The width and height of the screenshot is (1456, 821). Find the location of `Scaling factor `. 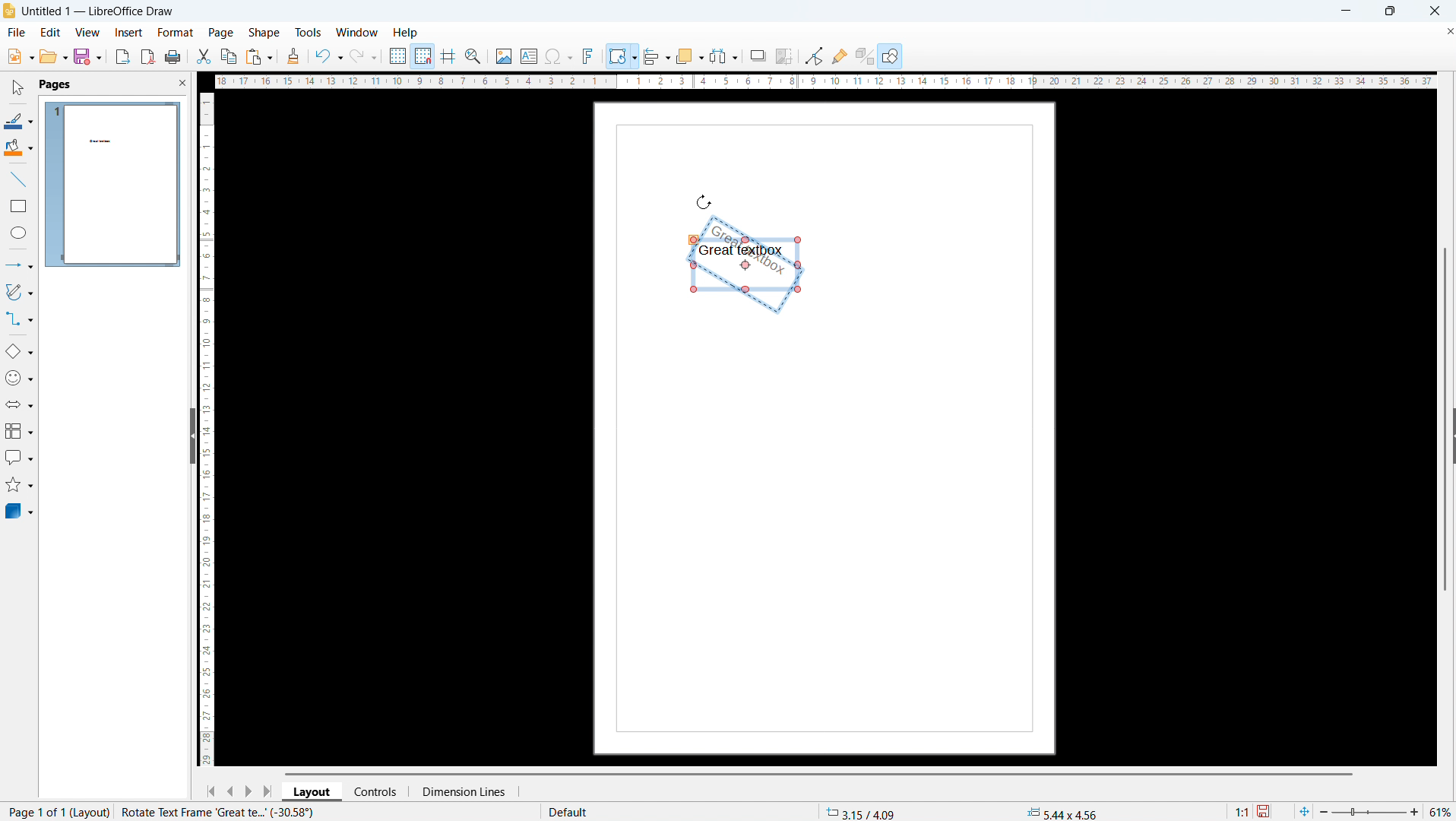

Scaling factor  is located at coordinates (1242, 810).